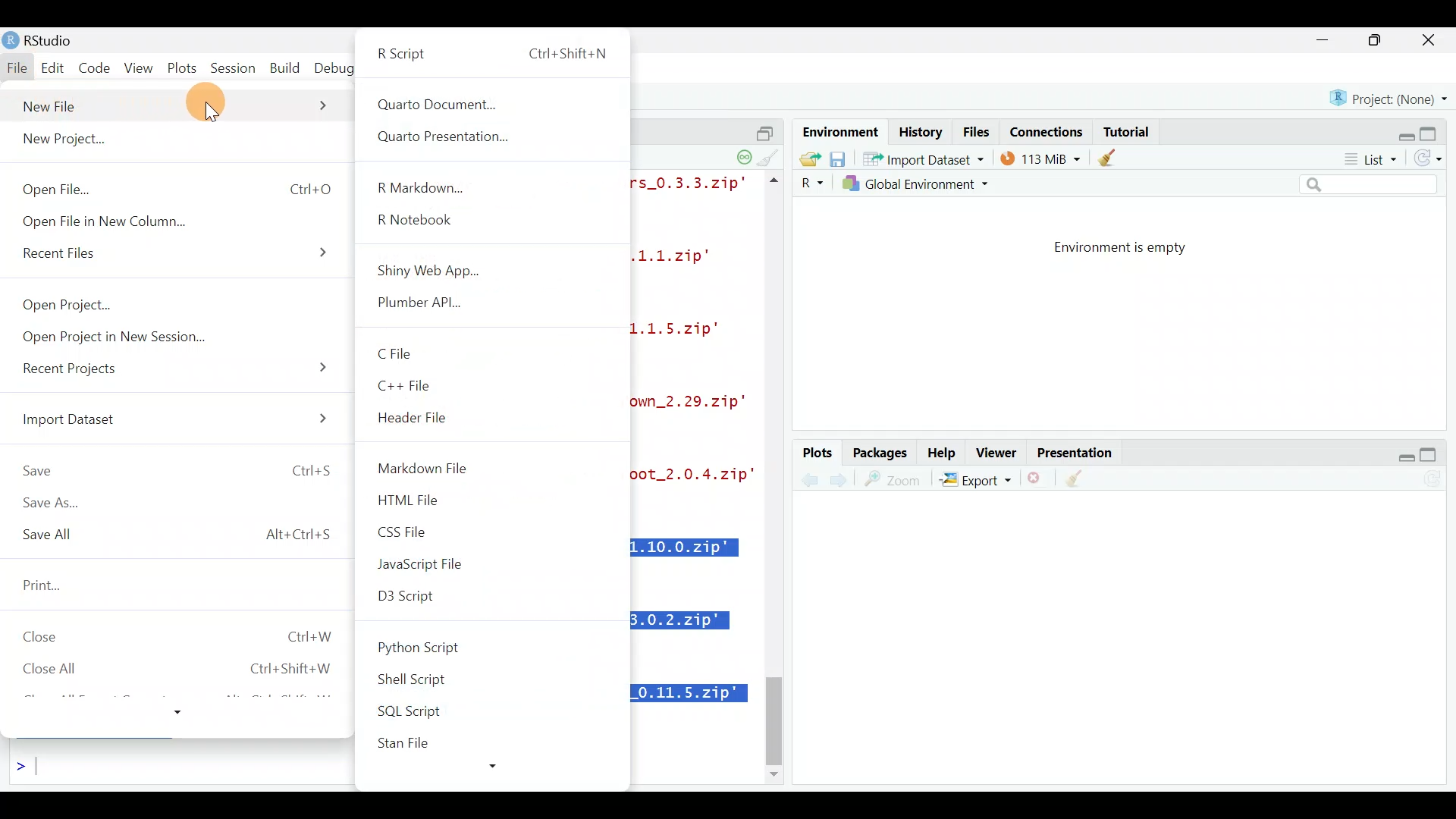 This screenshot has height=819, width=1456. Describe the element at coordinates (62, 588) in the screenshot. I see `Print...` at that location.